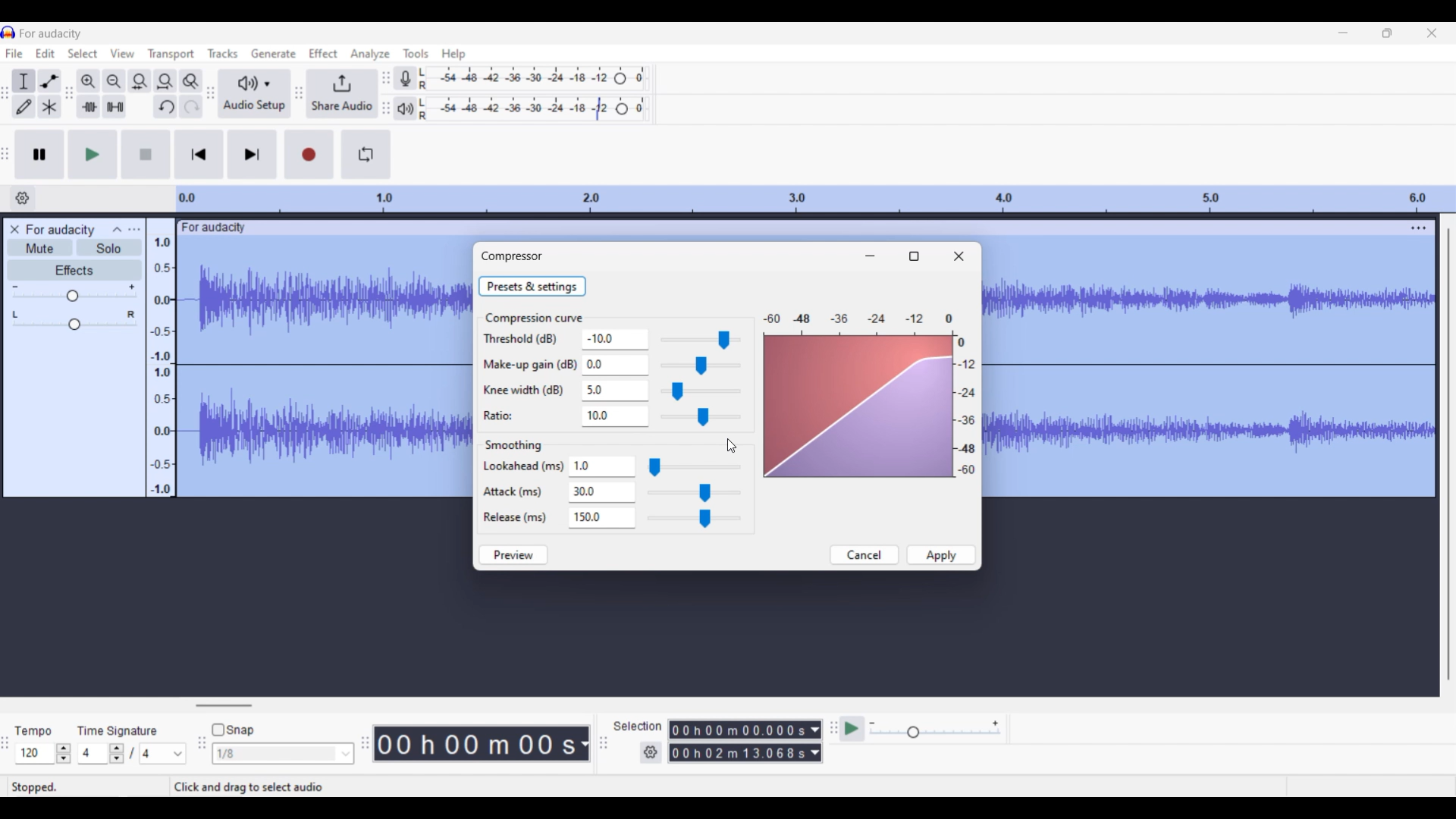  What do you see at coordinates (134, 230) in the screenshot?
I see `Open menu` at bounding box center [134, 230].